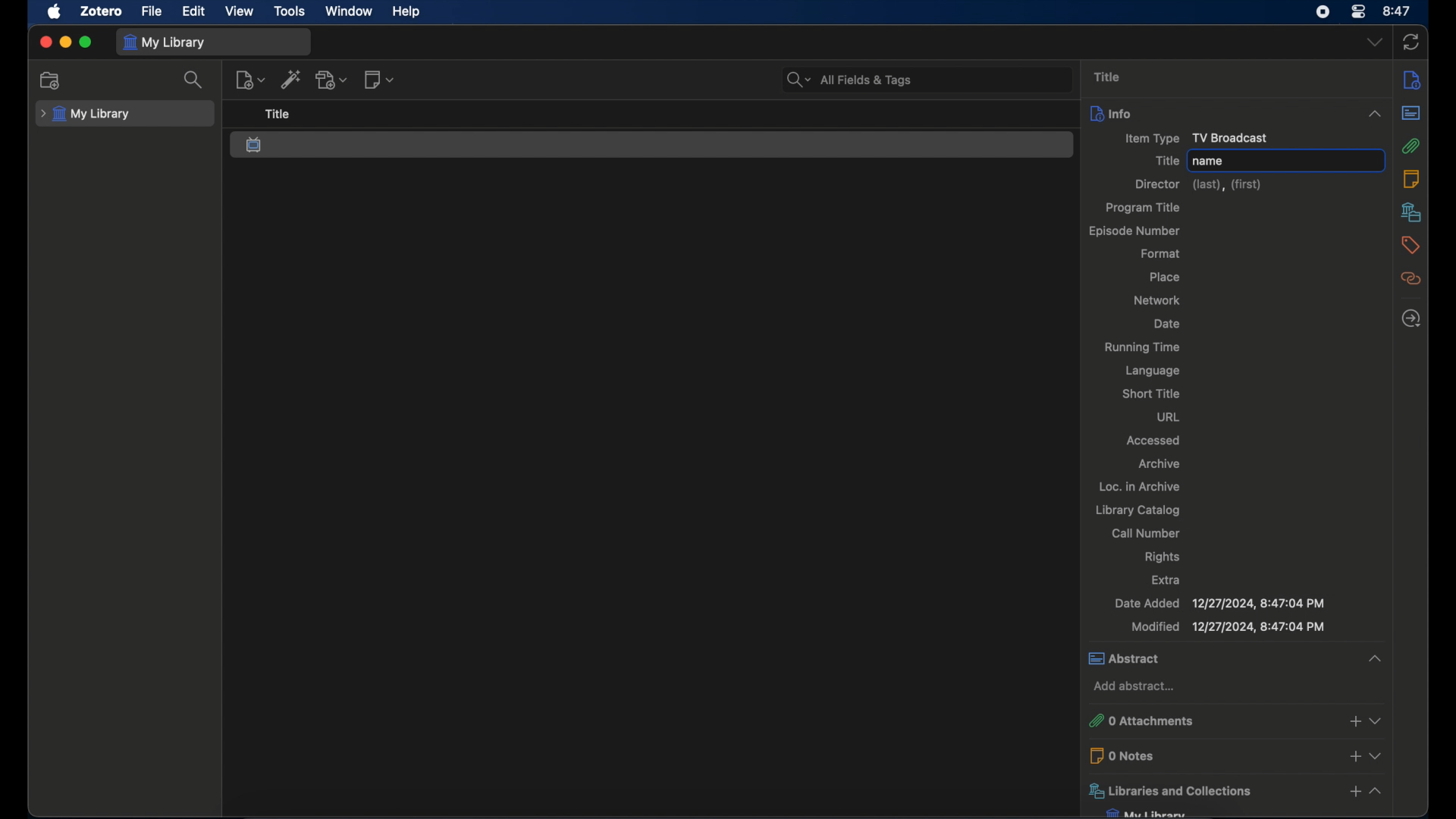 The image size is (1456, 819). I want to click on accessed, so click(1152, 441).